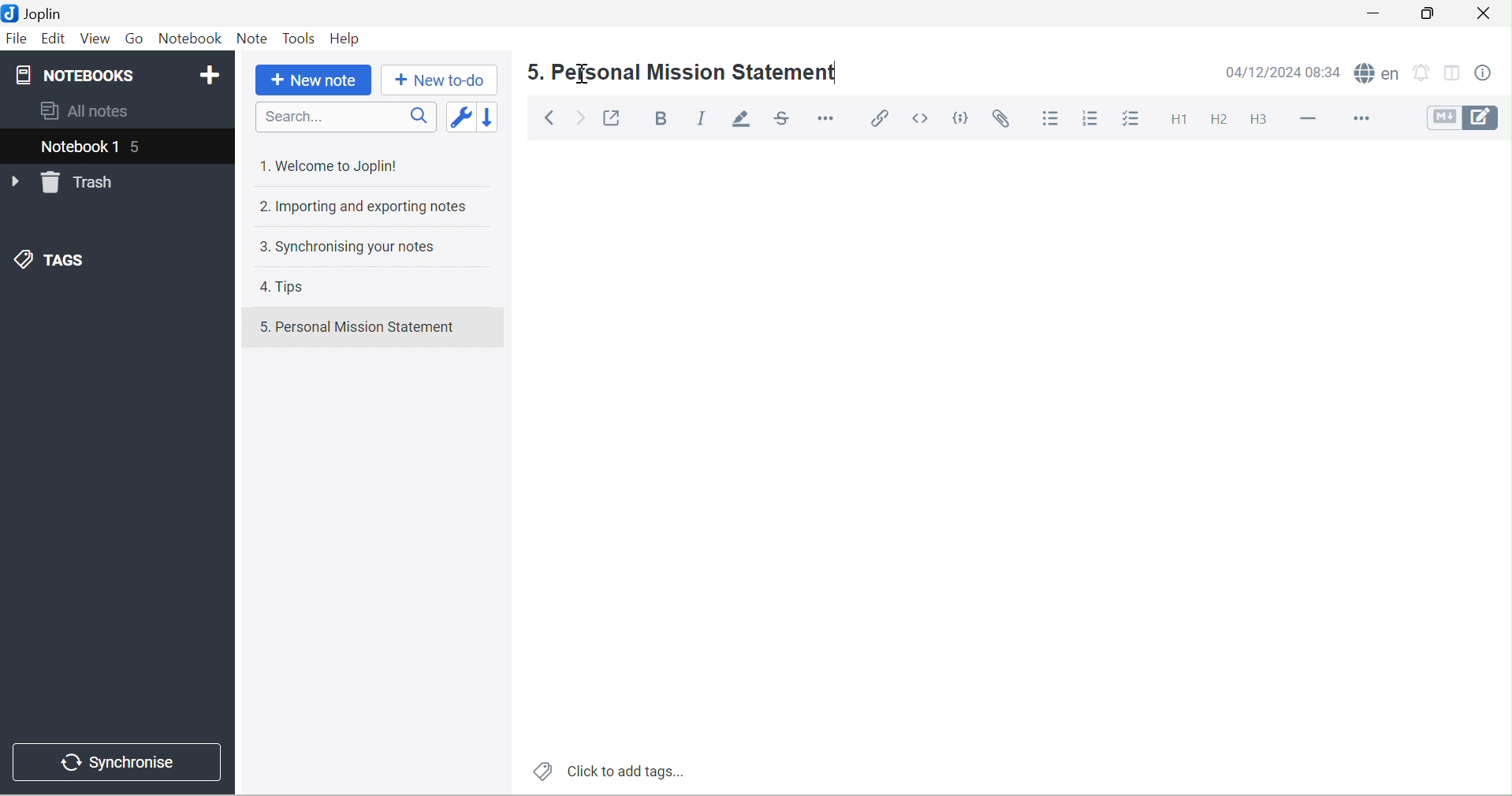 This screenshot has width=1512, height=796. I want to click on Go, so click(139, 39).